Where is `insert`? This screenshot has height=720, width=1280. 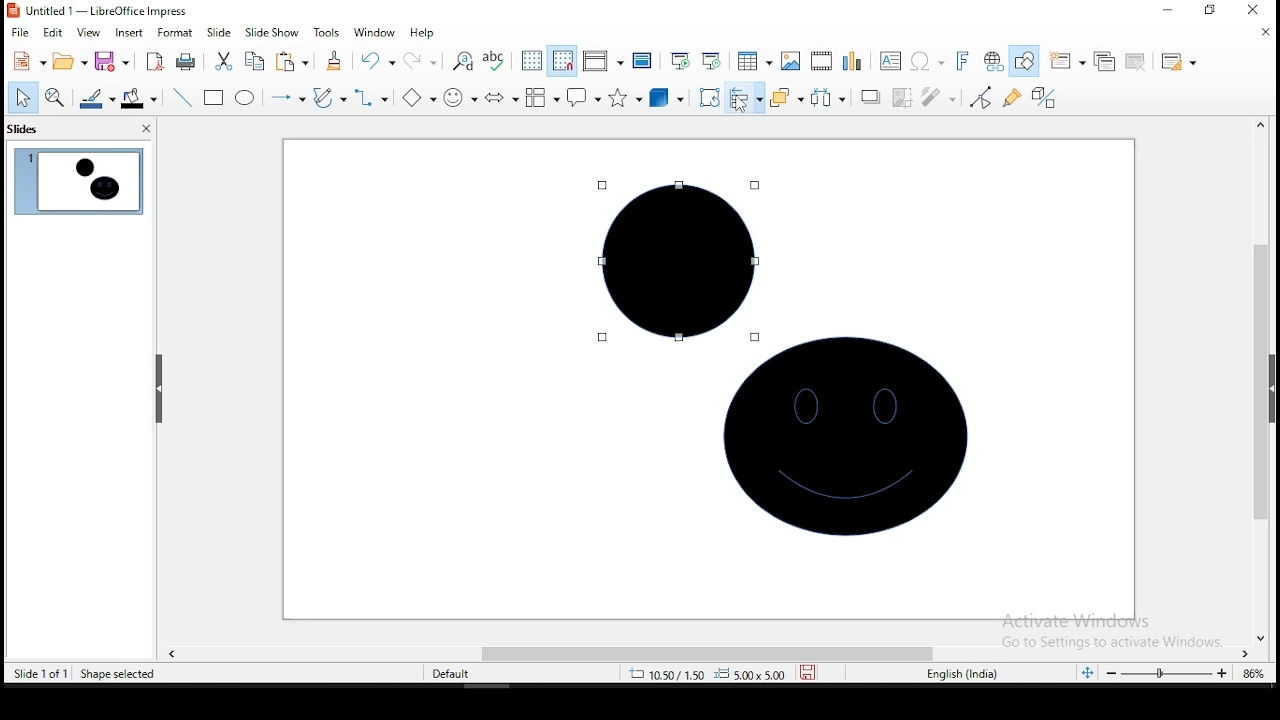
insert is located at coordinates (129, 33).